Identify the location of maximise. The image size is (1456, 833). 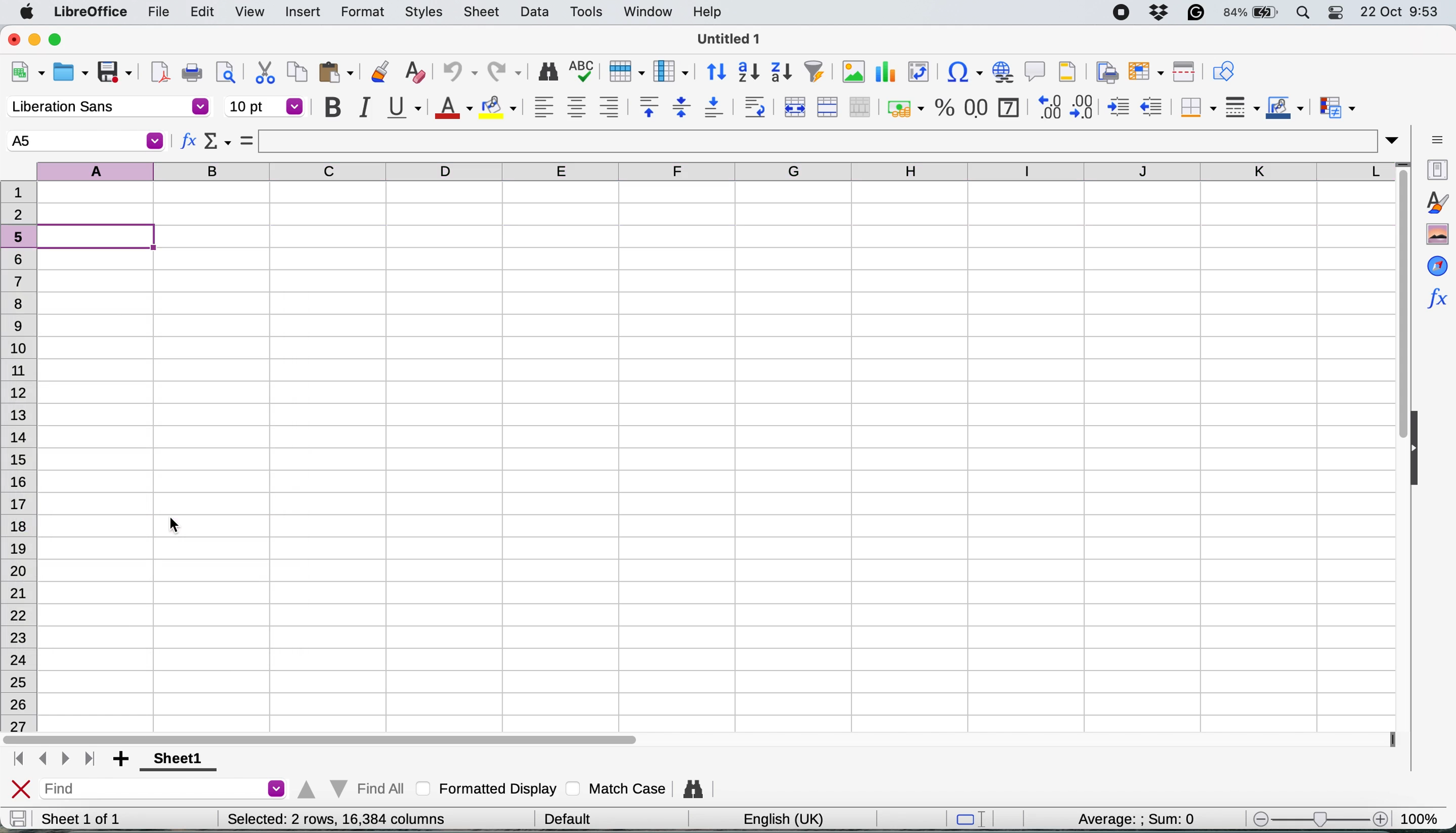
(61, 40).